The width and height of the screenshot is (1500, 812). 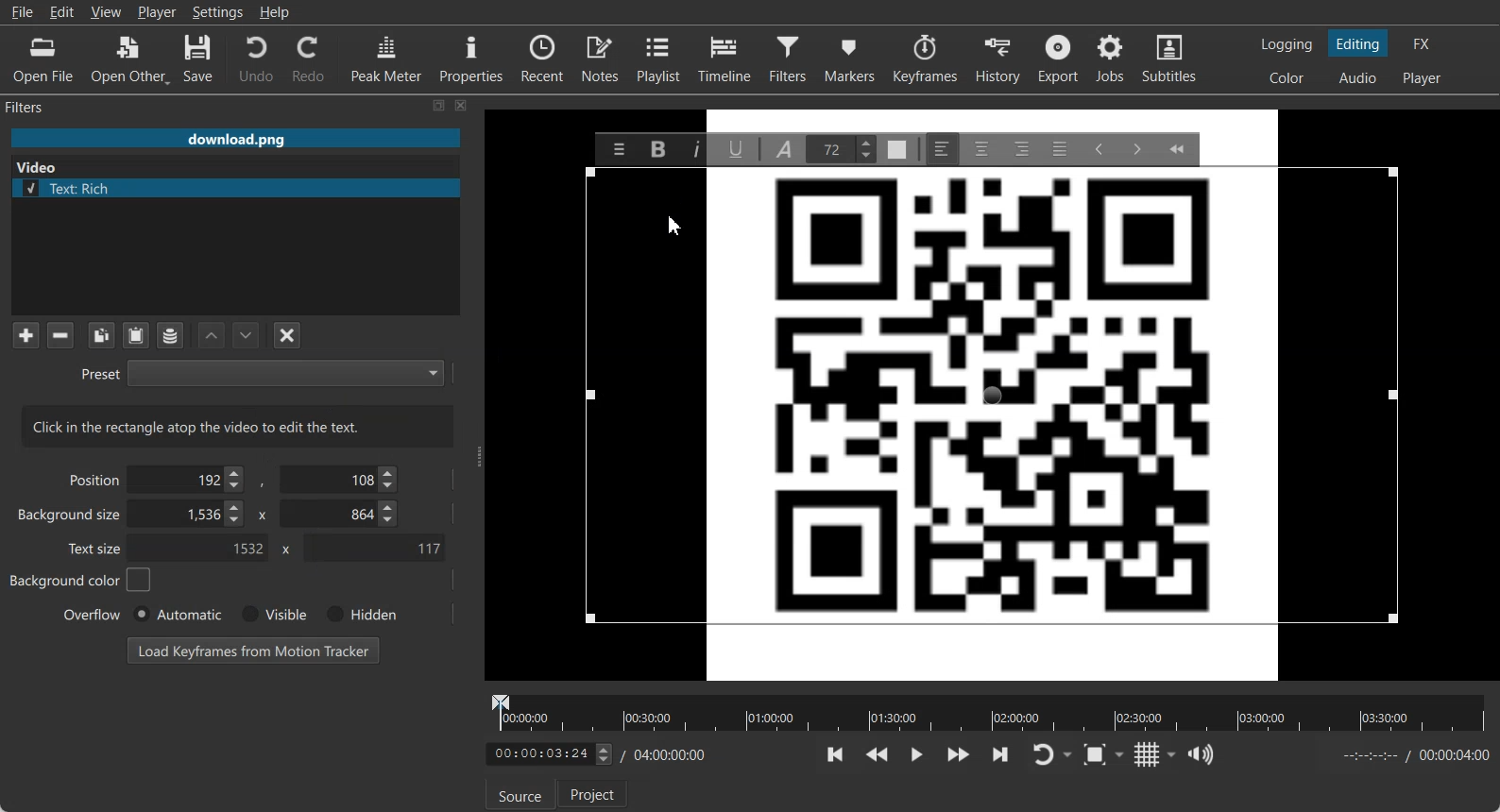 I want to click on Help, so click(x=275, y=12).